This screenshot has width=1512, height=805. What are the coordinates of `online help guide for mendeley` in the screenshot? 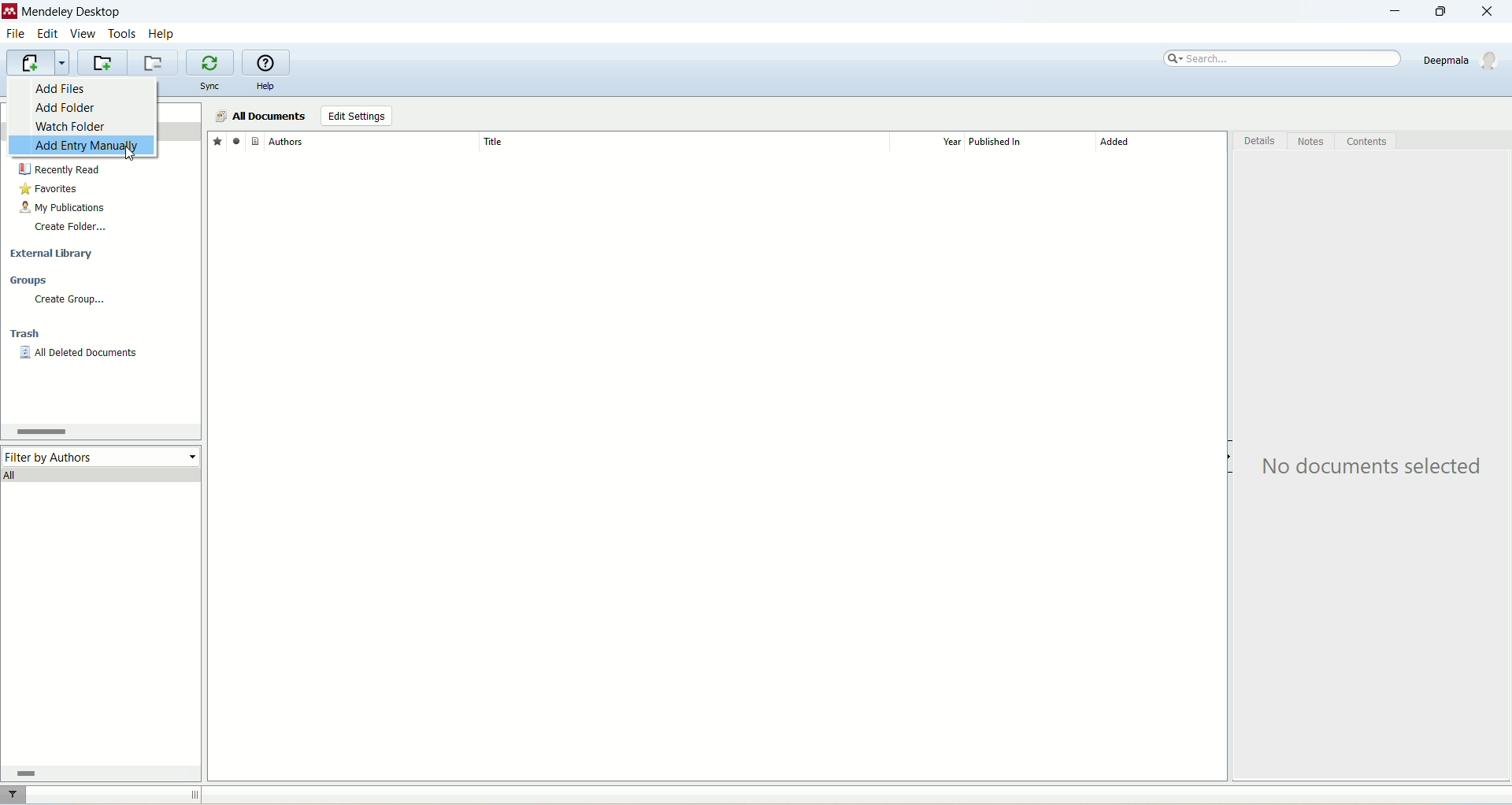 It's located at (267, 63).